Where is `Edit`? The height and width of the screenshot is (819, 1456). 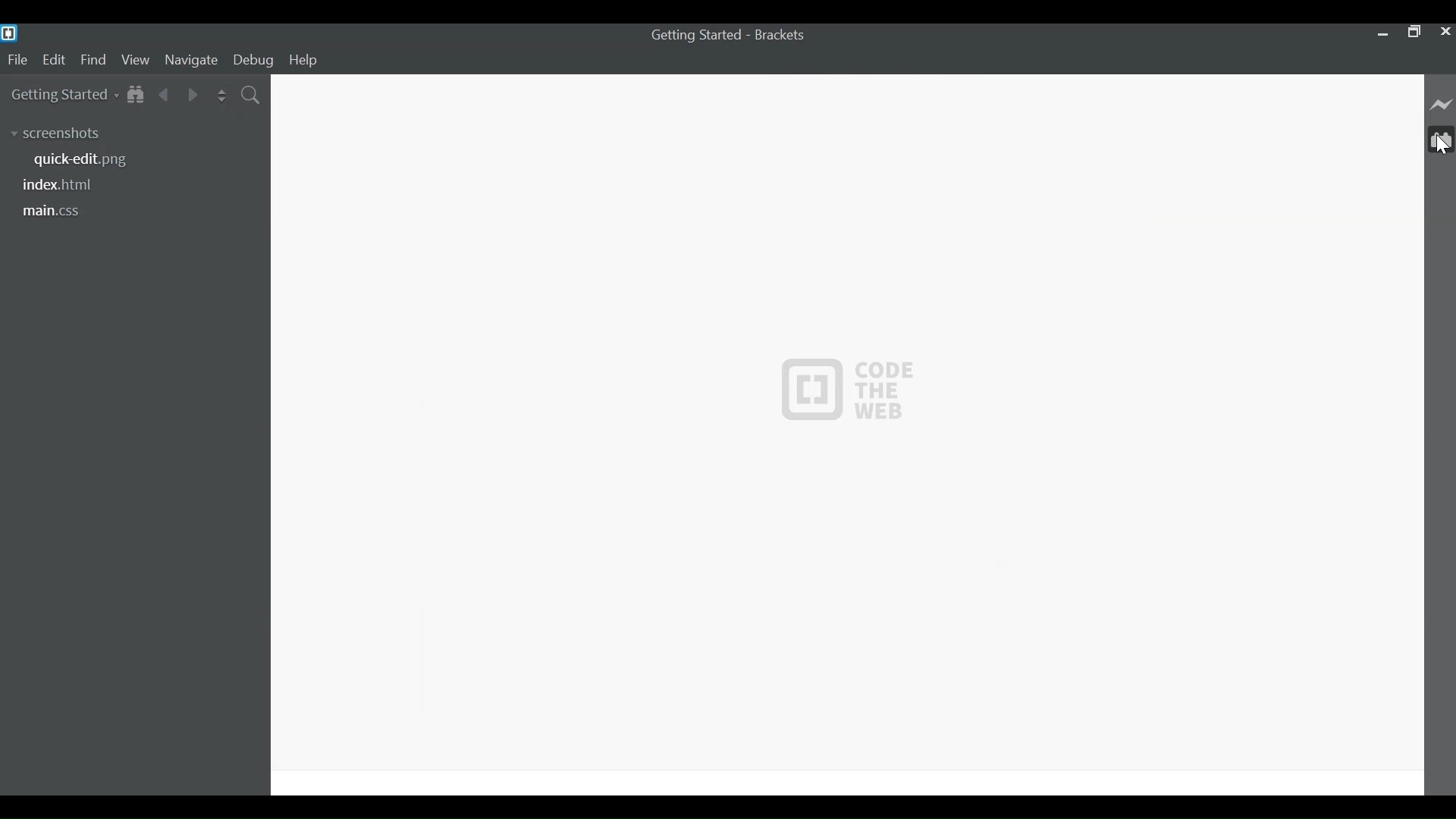
Edit is located at coordinates (55, 61).